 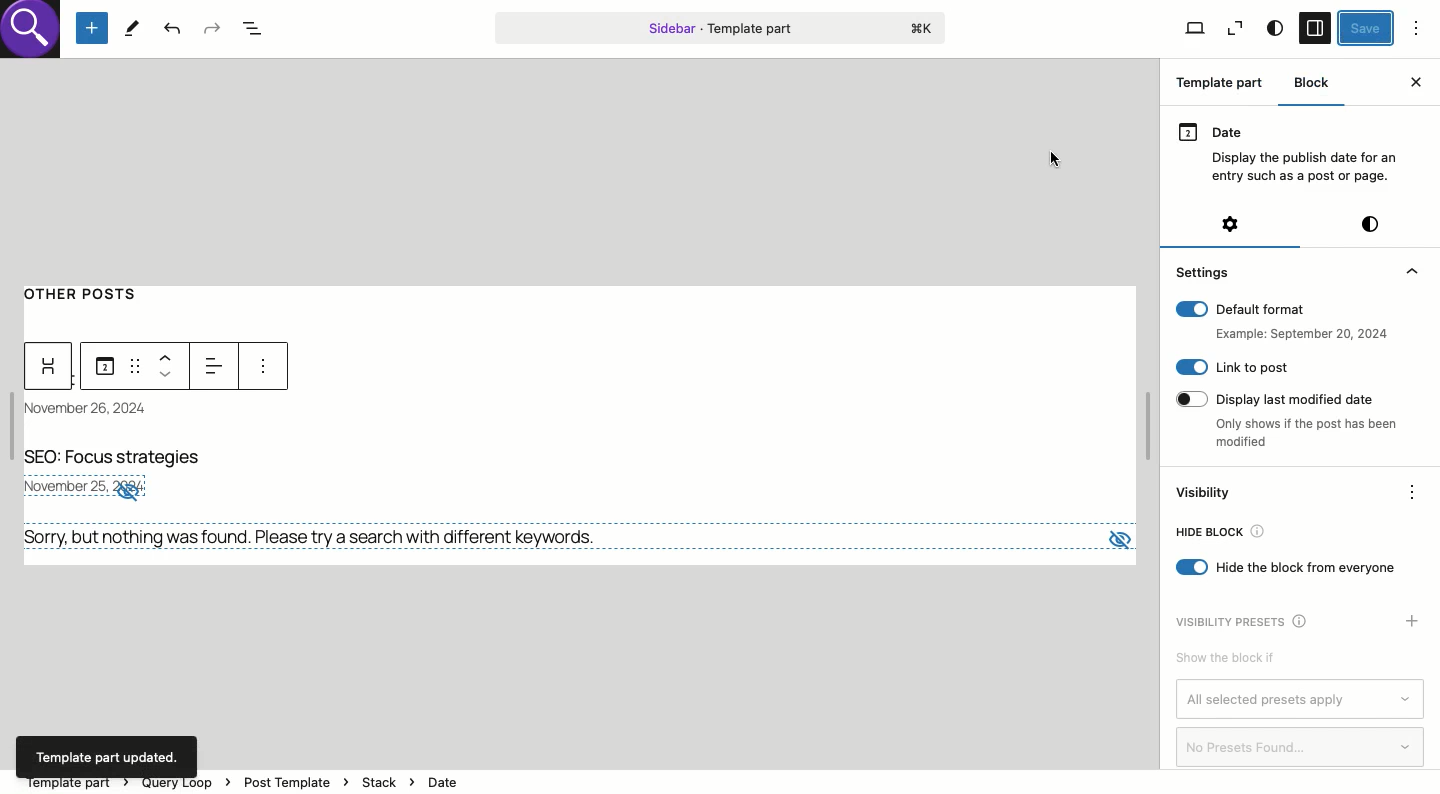 What do you see at coordinates (173, 30) in the screenshot?
I see `Undo` at bounding box center [173, 30].